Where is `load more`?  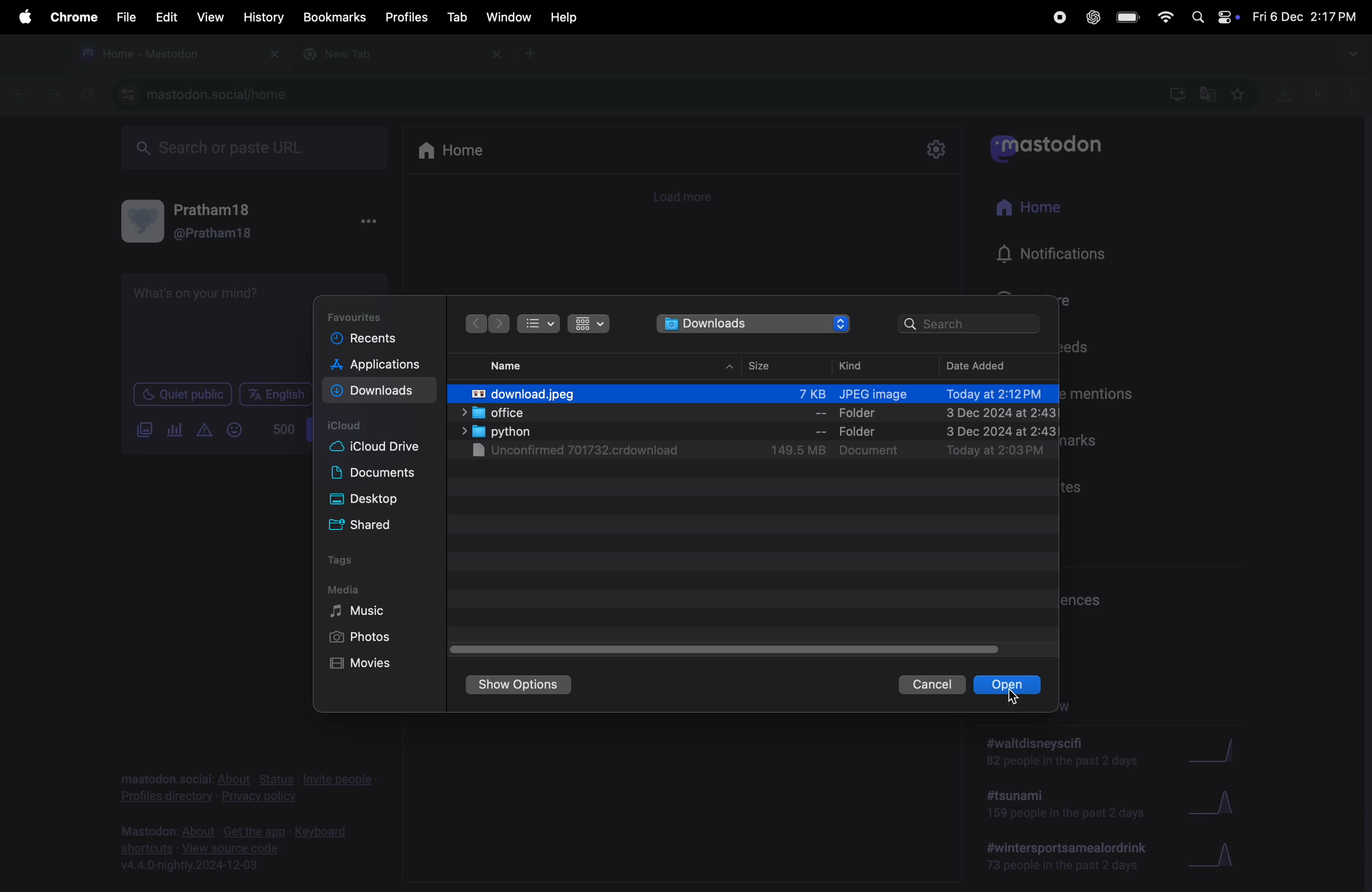 load more is located at coordinates (689, 198).